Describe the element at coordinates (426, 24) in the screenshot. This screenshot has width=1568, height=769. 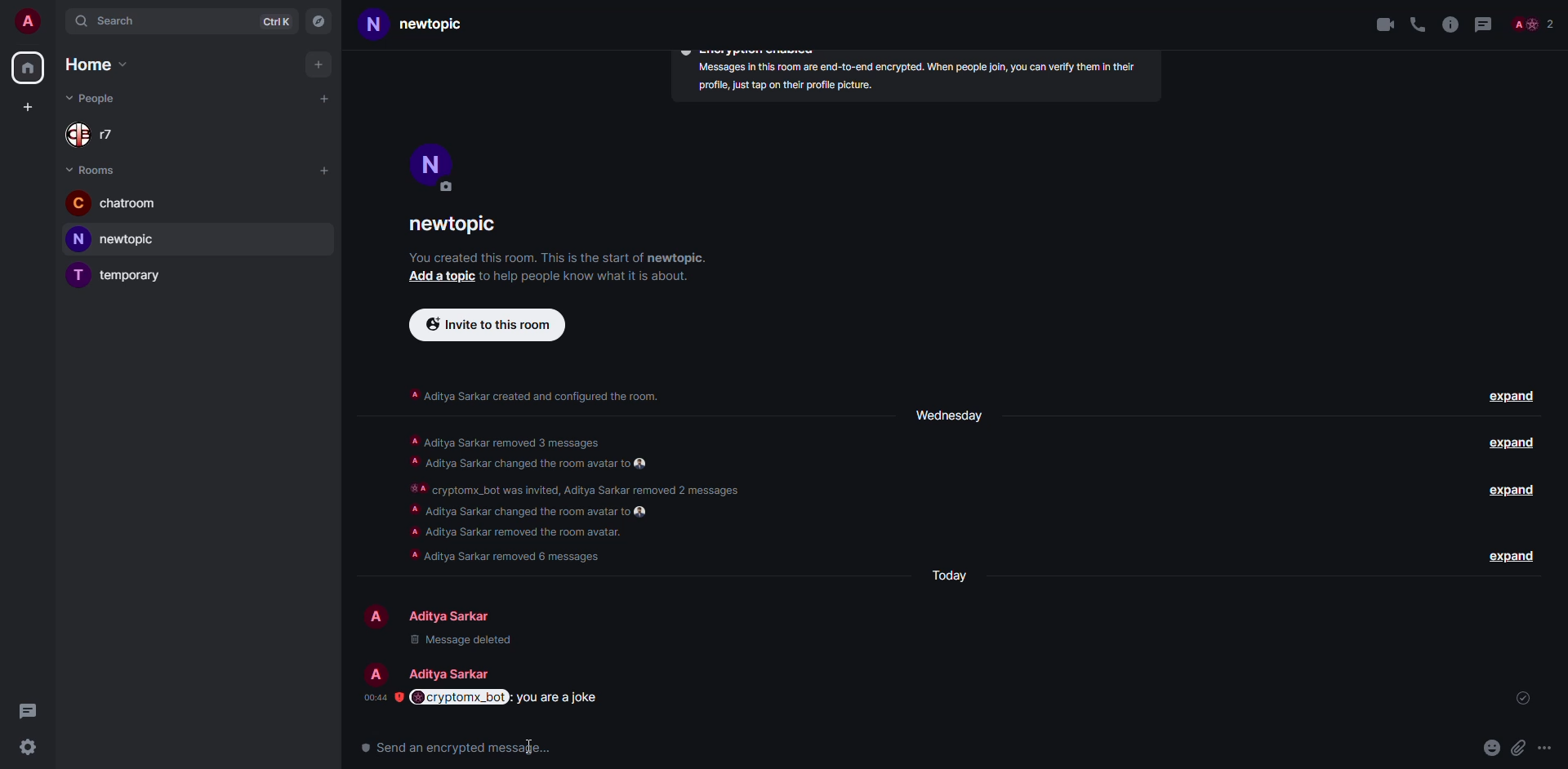
I see `room` at that location.